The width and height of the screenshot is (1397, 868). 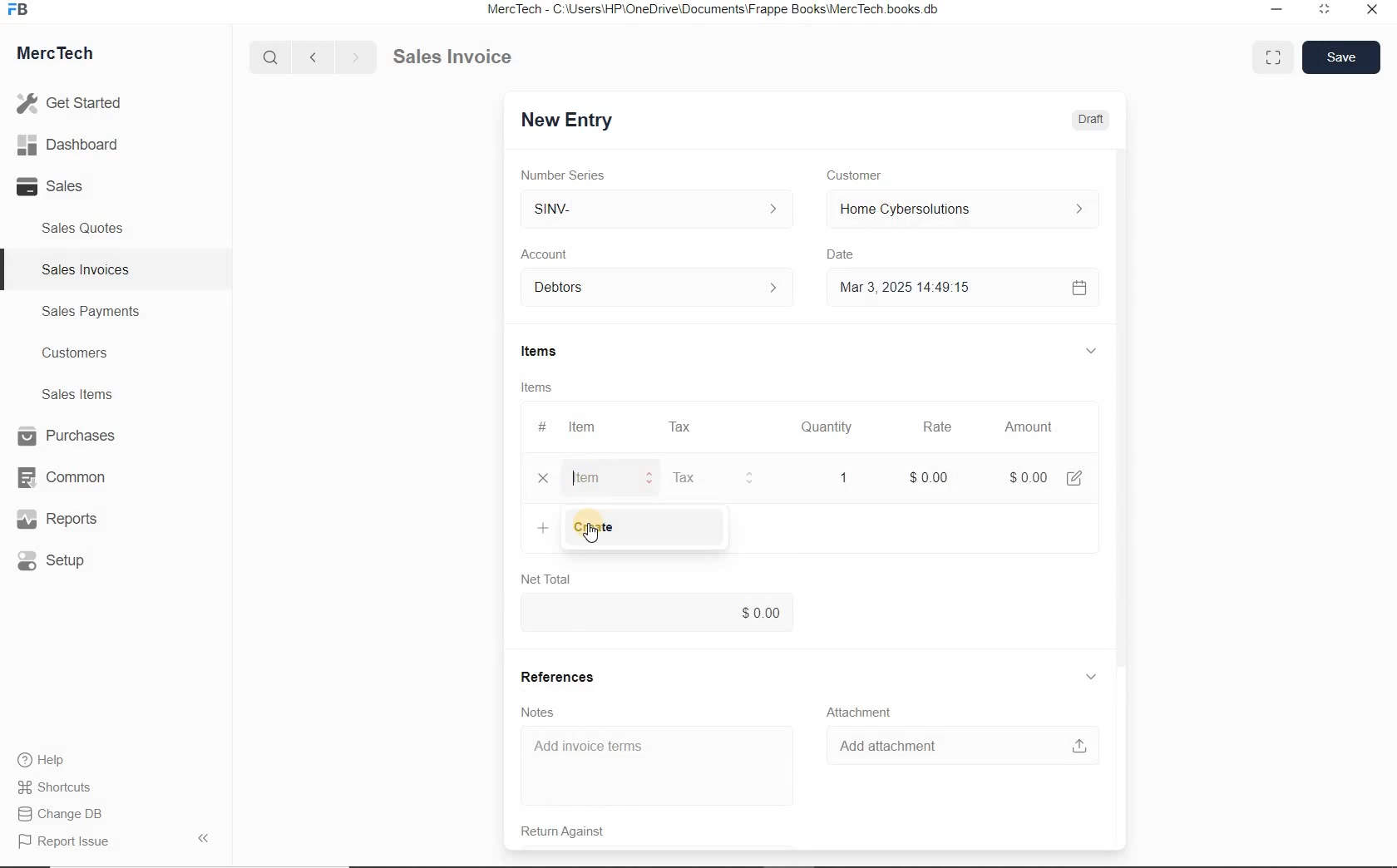 What do you see at coordinates (539, 389) in the screenshot?
I see `Items` at bounding box center [539, 389].